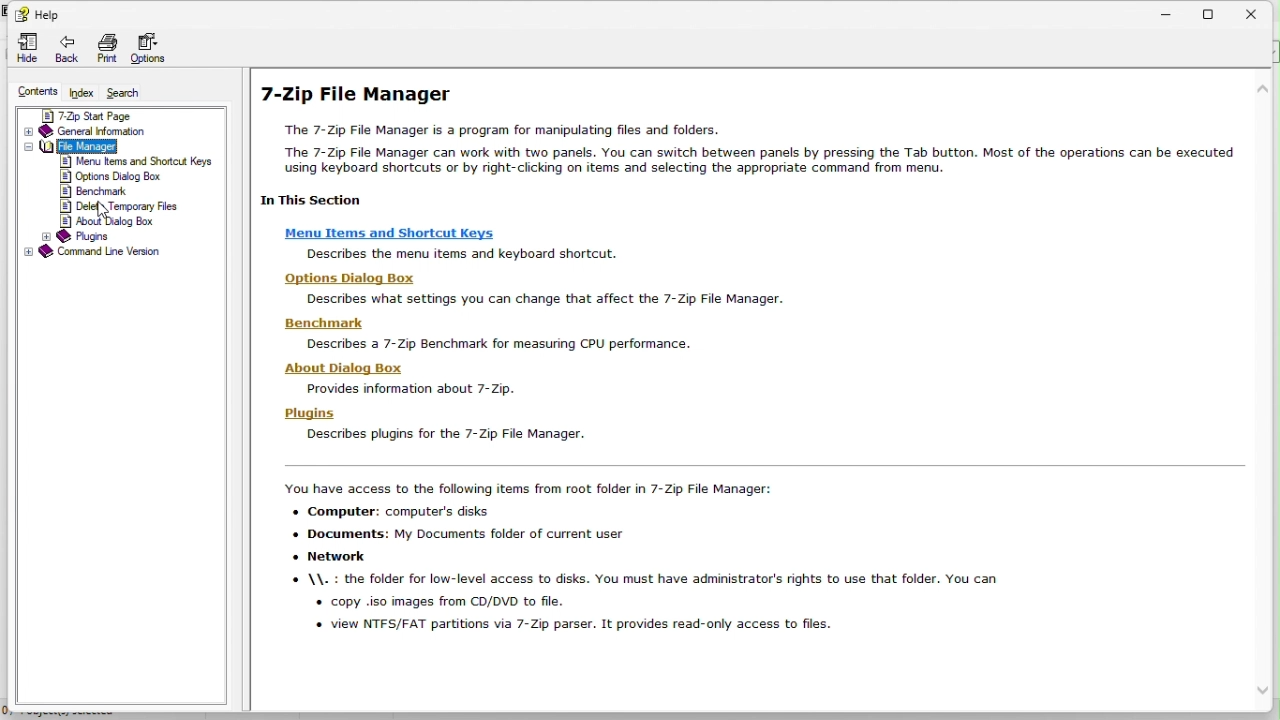  Describe the element at coordinates (83, 94) in the screenshot. I see `index` at that location.